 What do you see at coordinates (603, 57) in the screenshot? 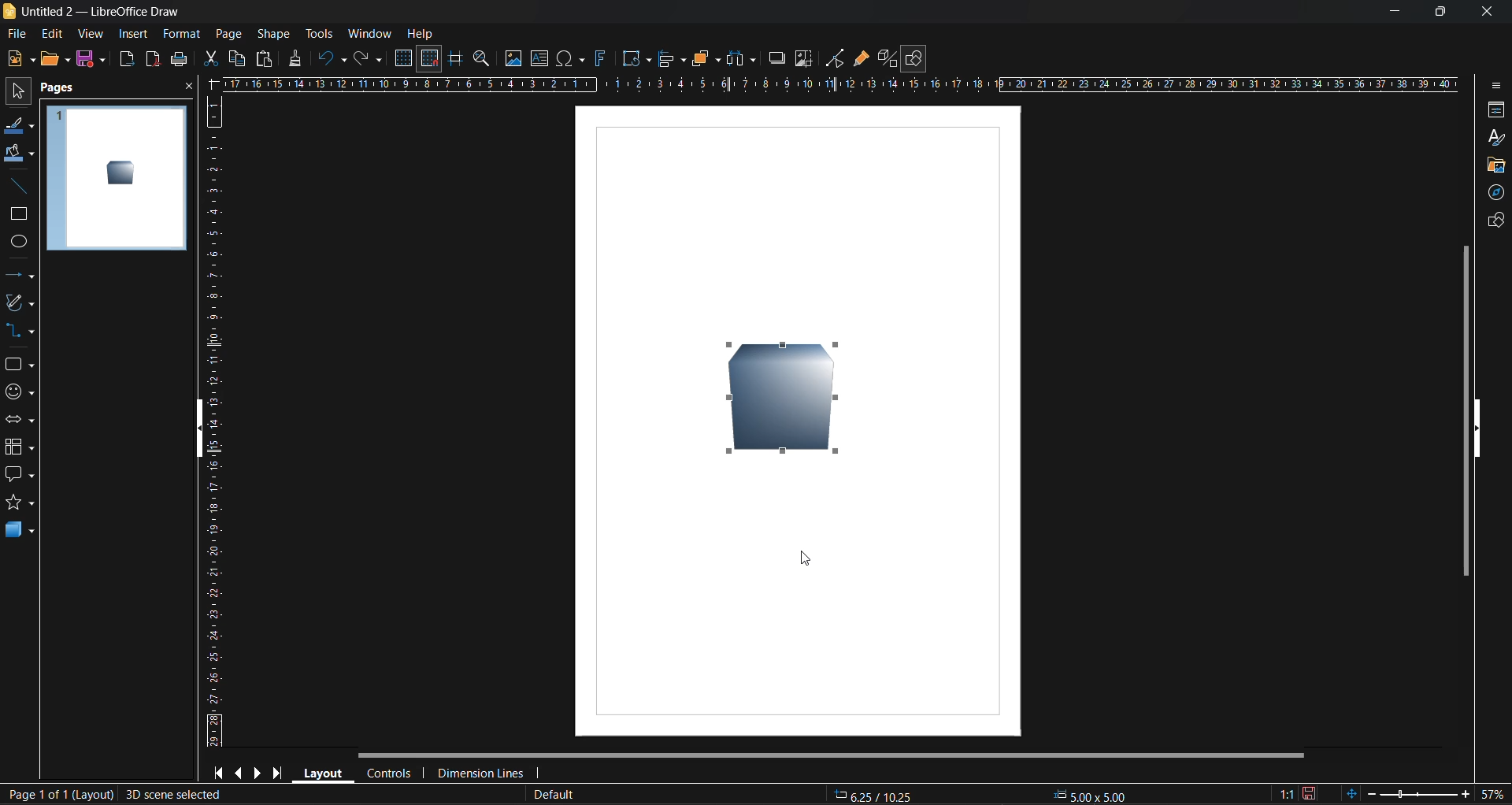
I see `fontwork` at bounding box center [603, 57].